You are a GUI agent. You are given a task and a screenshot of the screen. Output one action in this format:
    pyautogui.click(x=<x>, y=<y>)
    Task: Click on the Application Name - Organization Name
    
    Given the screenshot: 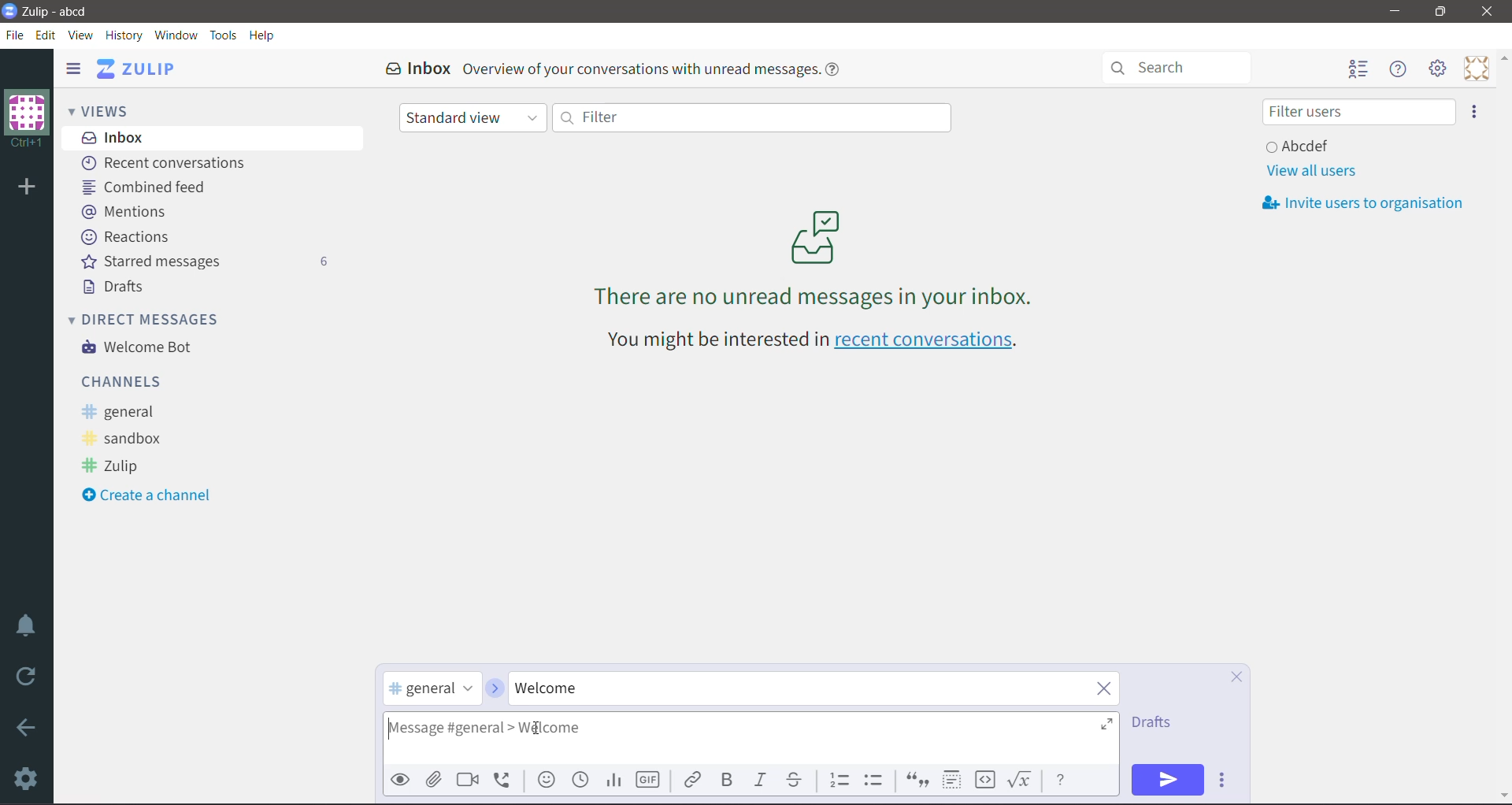 What is the action you would take?
    pyautogui.click(x=65, y=11)
    